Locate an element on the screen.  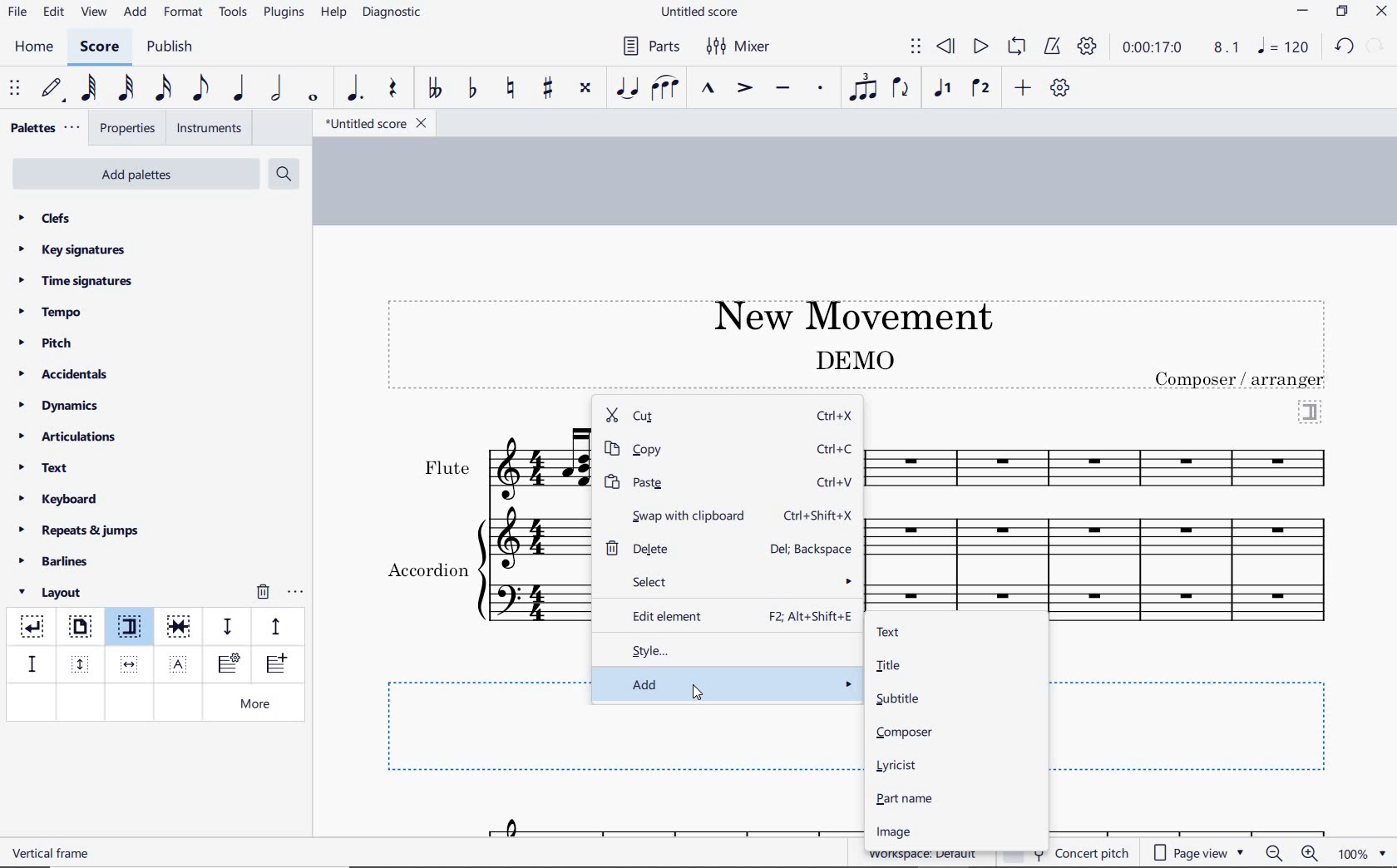
remove layout is located at coordinates (263, 594).